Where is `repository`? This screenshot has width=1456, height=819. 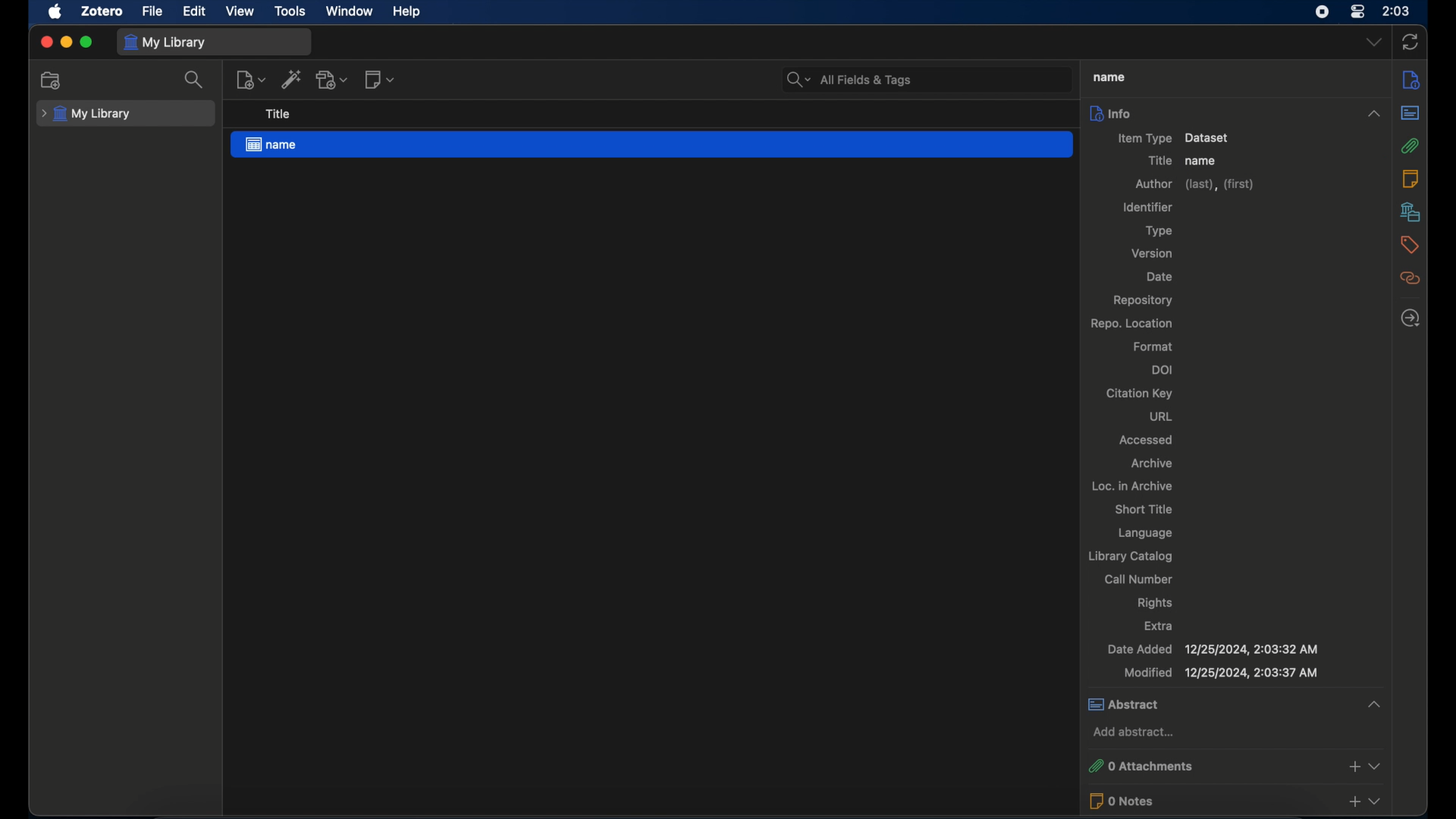
repository is located at coordinates (1142, 300).